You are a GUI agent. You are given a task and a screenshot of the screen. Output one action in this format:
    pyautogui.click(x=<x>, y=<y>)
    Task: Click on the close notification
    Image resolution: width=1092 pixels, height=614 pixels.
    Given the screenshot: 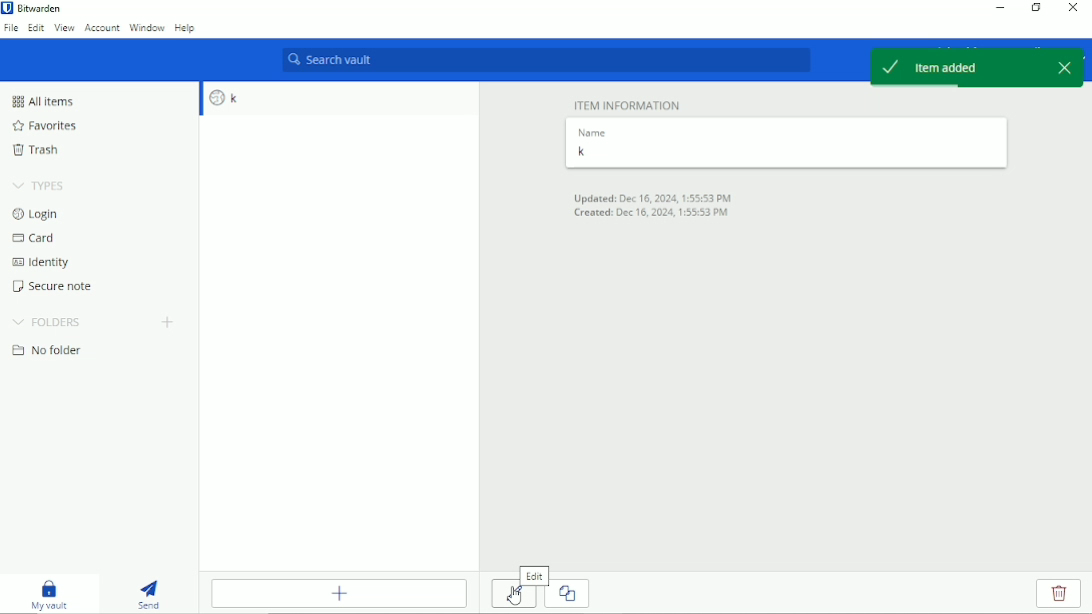 What is the action you would take?
    pyautogui.click(x=1062, y=68)
    